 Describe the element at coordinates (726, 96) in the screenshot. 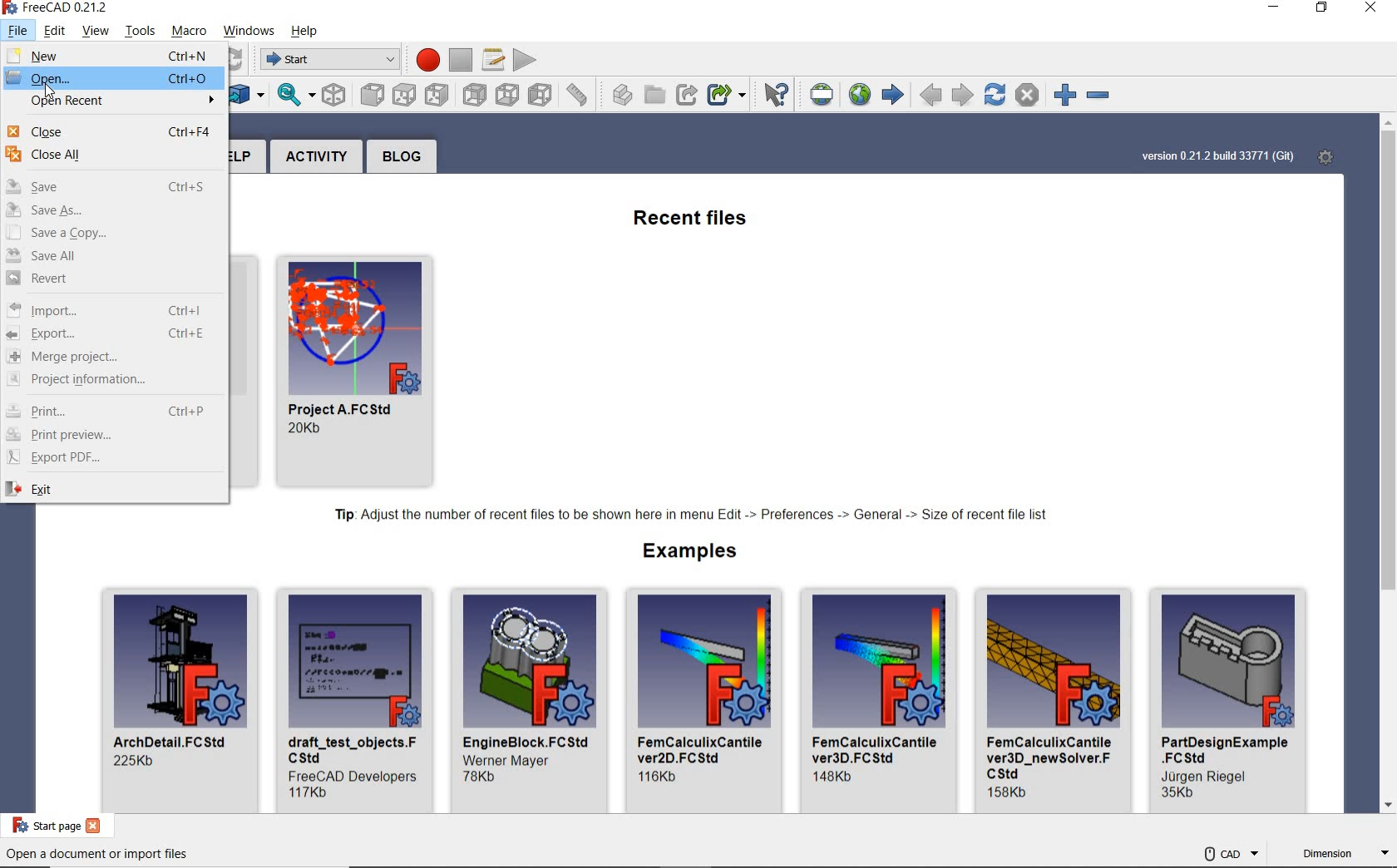

I see `MAKE SUB-LINK` at that location.